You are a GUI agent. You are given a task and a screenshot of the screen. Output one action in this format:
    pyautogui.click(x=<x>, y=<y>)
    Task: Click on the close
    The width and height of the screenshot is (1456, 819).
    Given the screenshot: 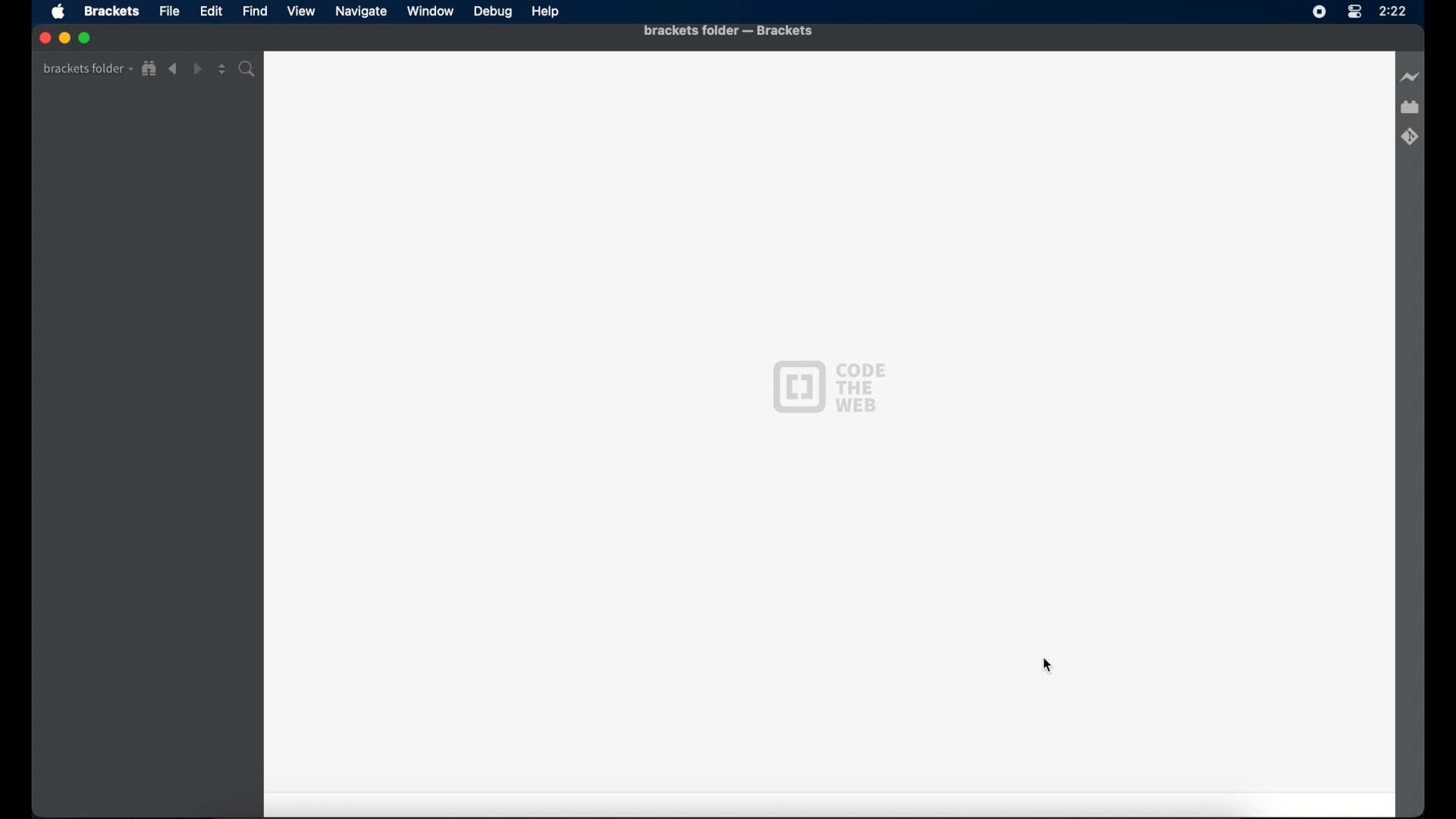 What is the action you would take?
    pyautogui.click(x=43, y=38)
    